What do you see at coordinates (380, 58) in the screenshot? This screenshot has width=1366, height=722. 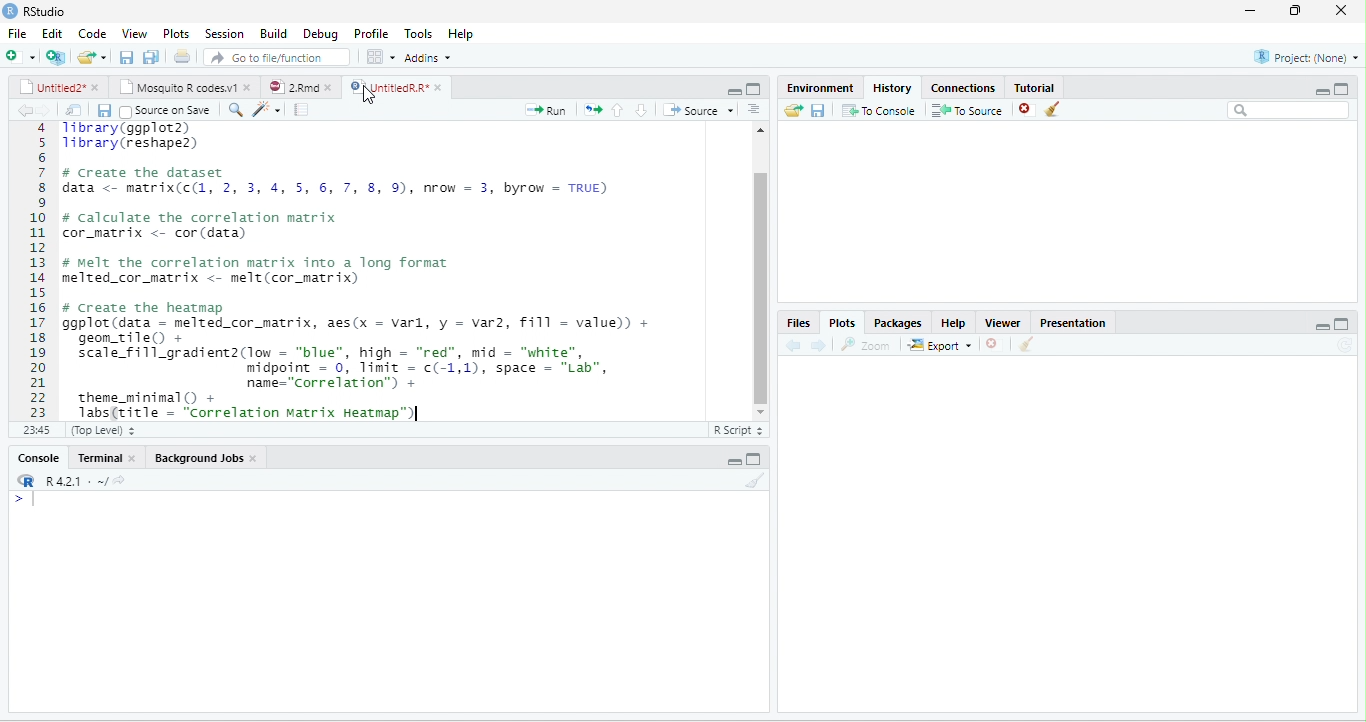 I see `grid` at bounding box center [380, 58].